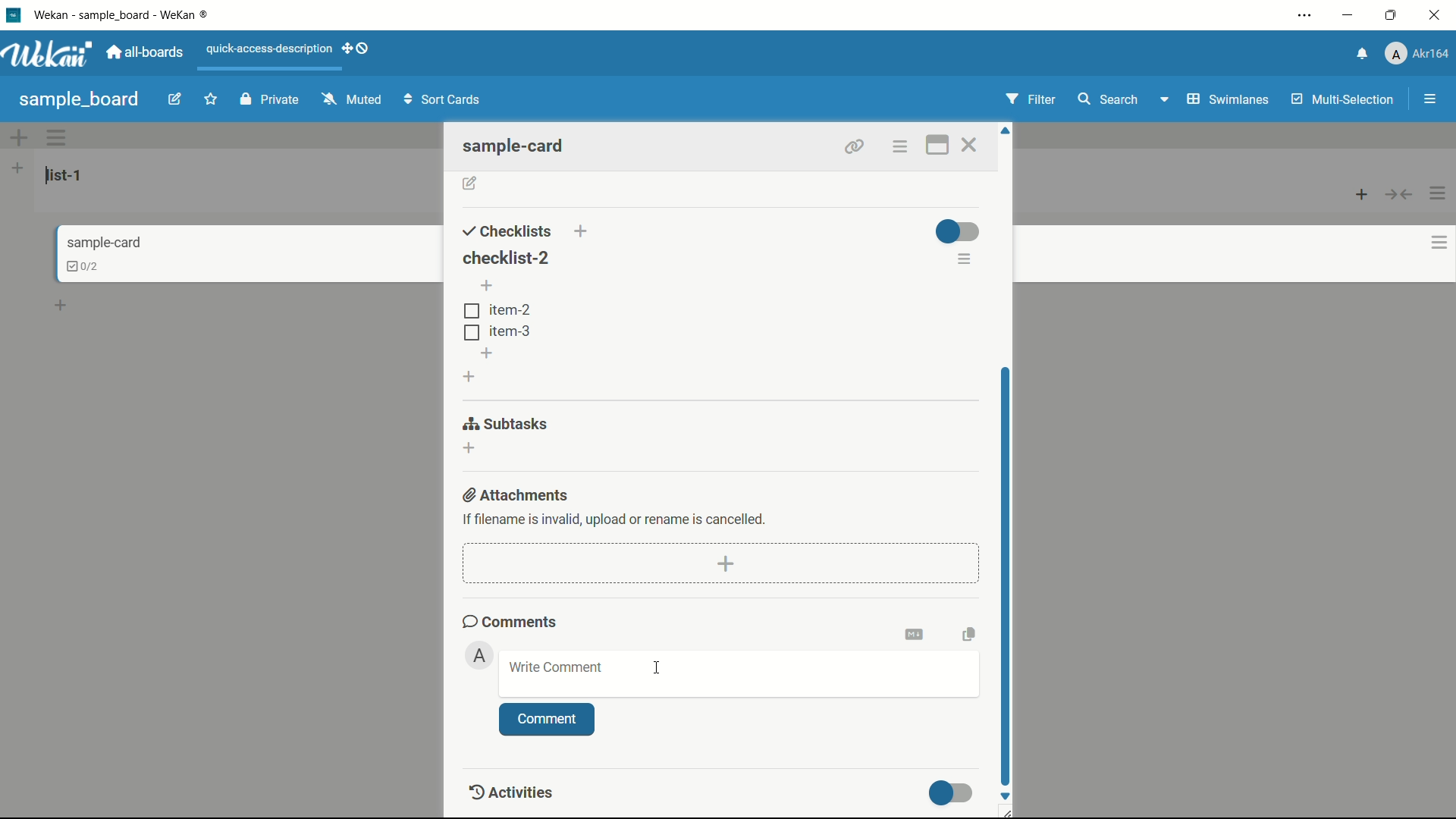 This screenshot has height=819, width=1456. What do you see at coordinates (518, 494) in the screenshot?
I see `attachments` at bounding box center [518, 494].